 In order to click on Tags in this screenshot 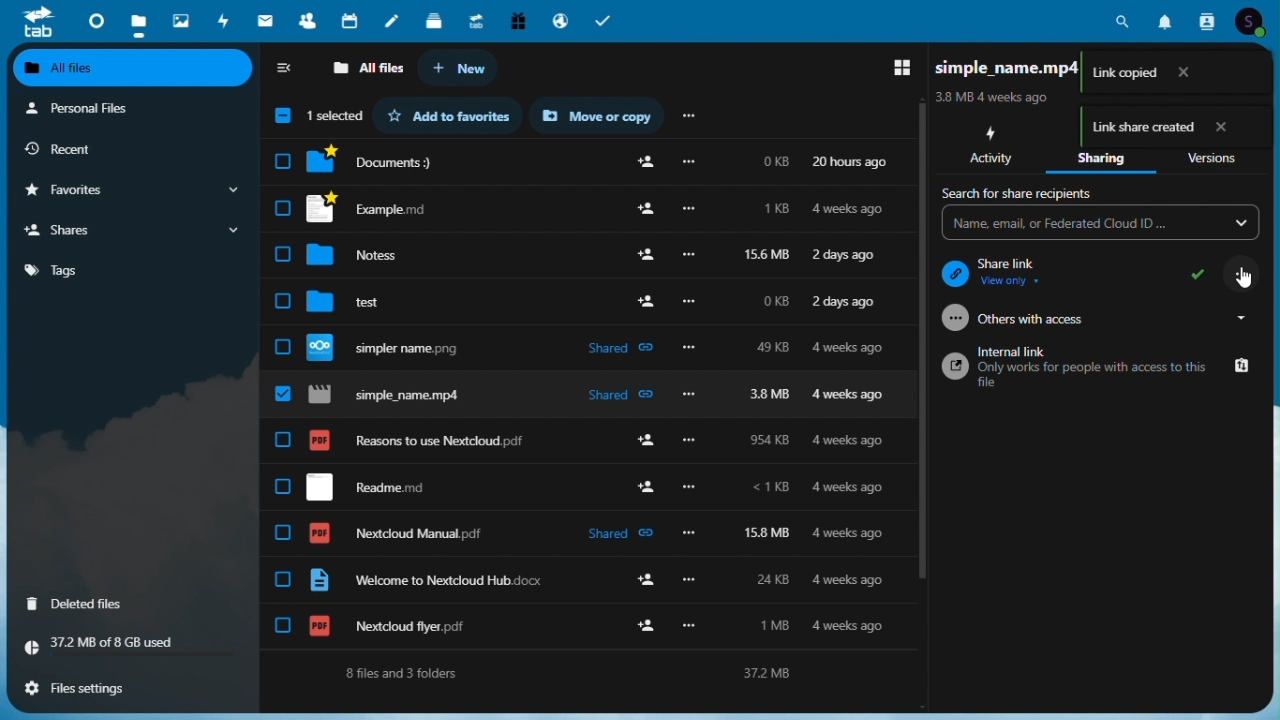, I will do `click(128, 269)`.